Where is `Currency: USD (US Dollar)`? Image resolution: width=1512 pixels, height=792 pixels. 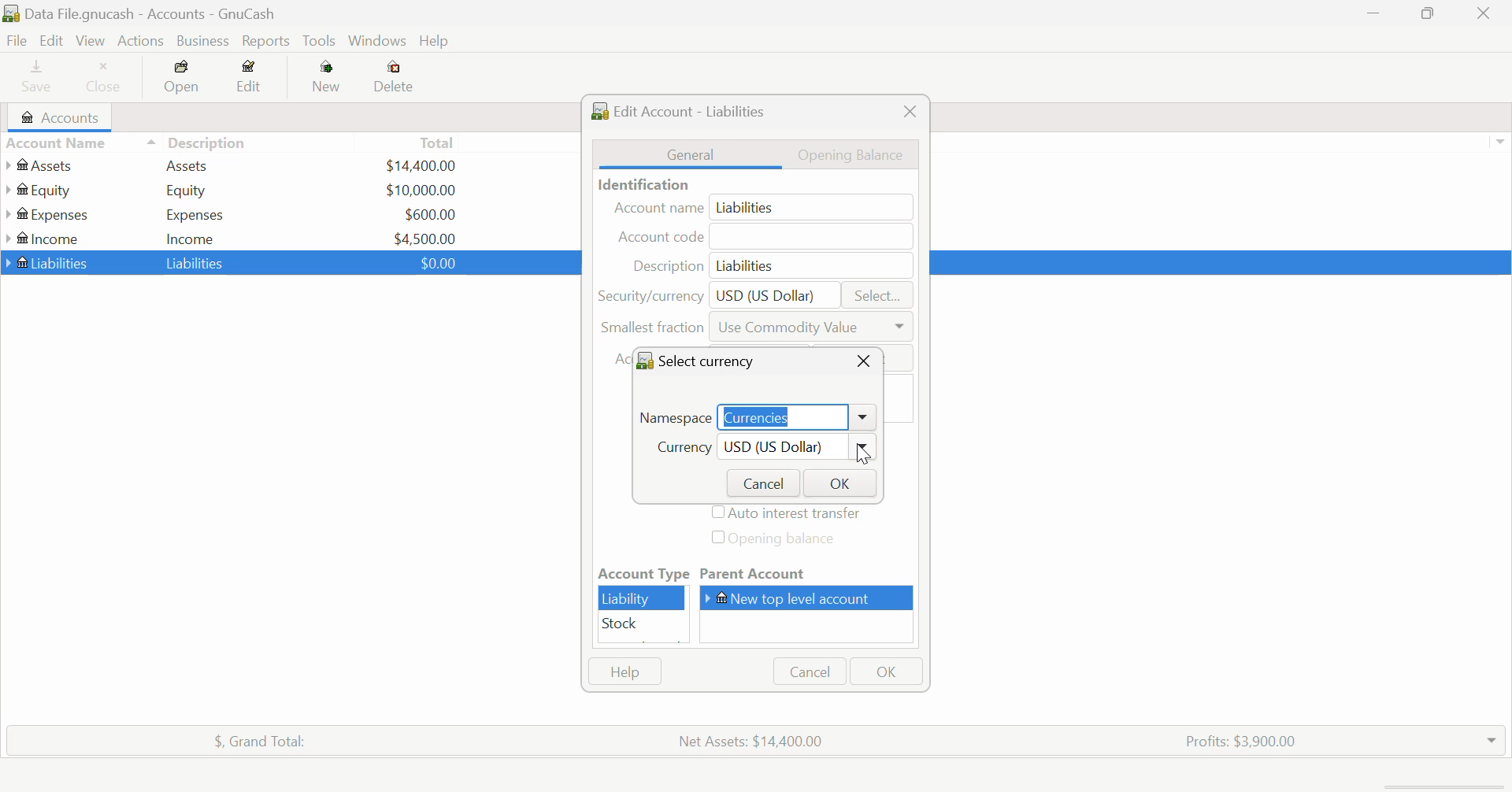
Currency: USD (US Dollar) is located at coordinates (756, 450).